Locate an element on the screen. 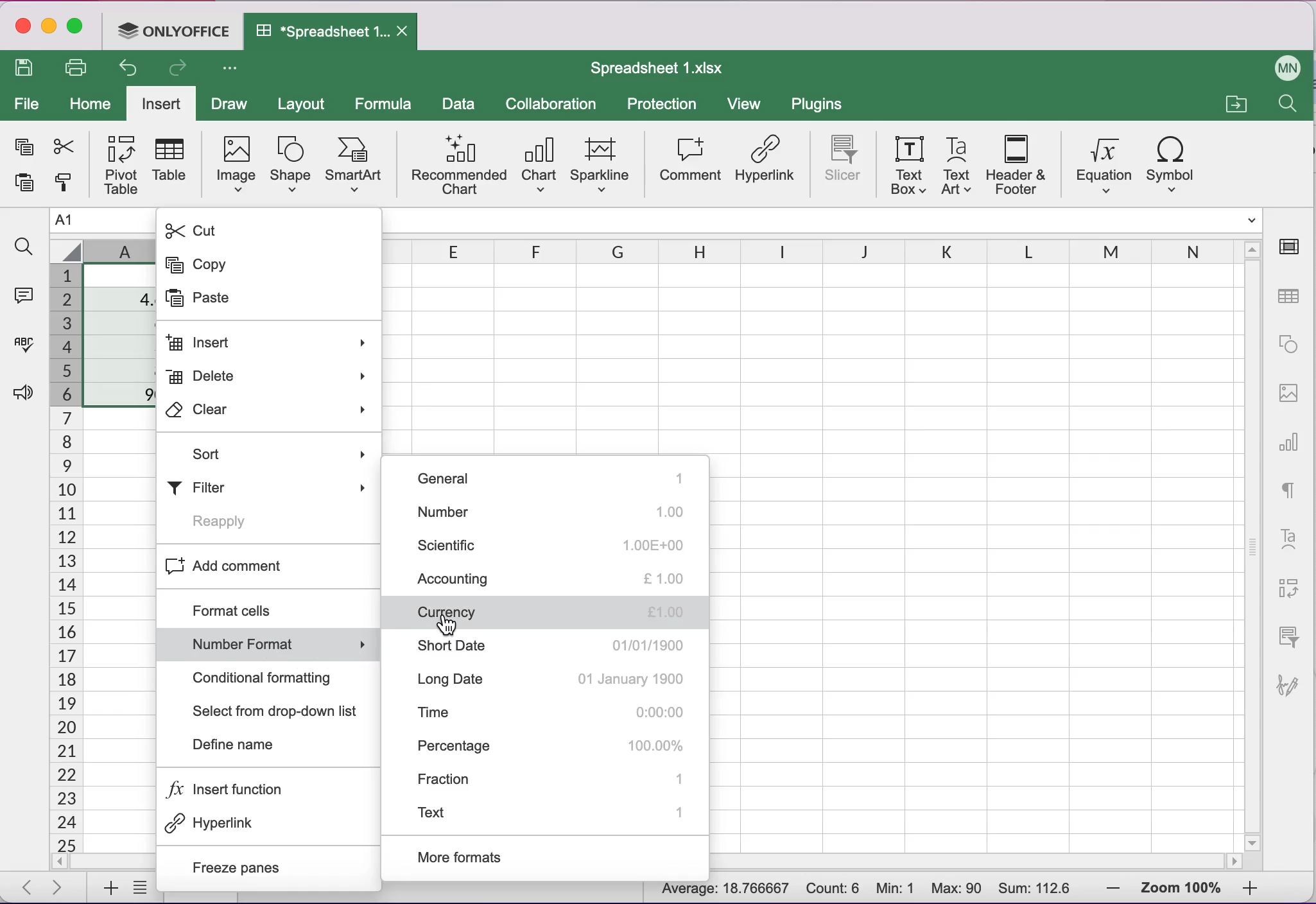 This screenshot has width=1316, height=904. general is located at coordinates (560, 476).